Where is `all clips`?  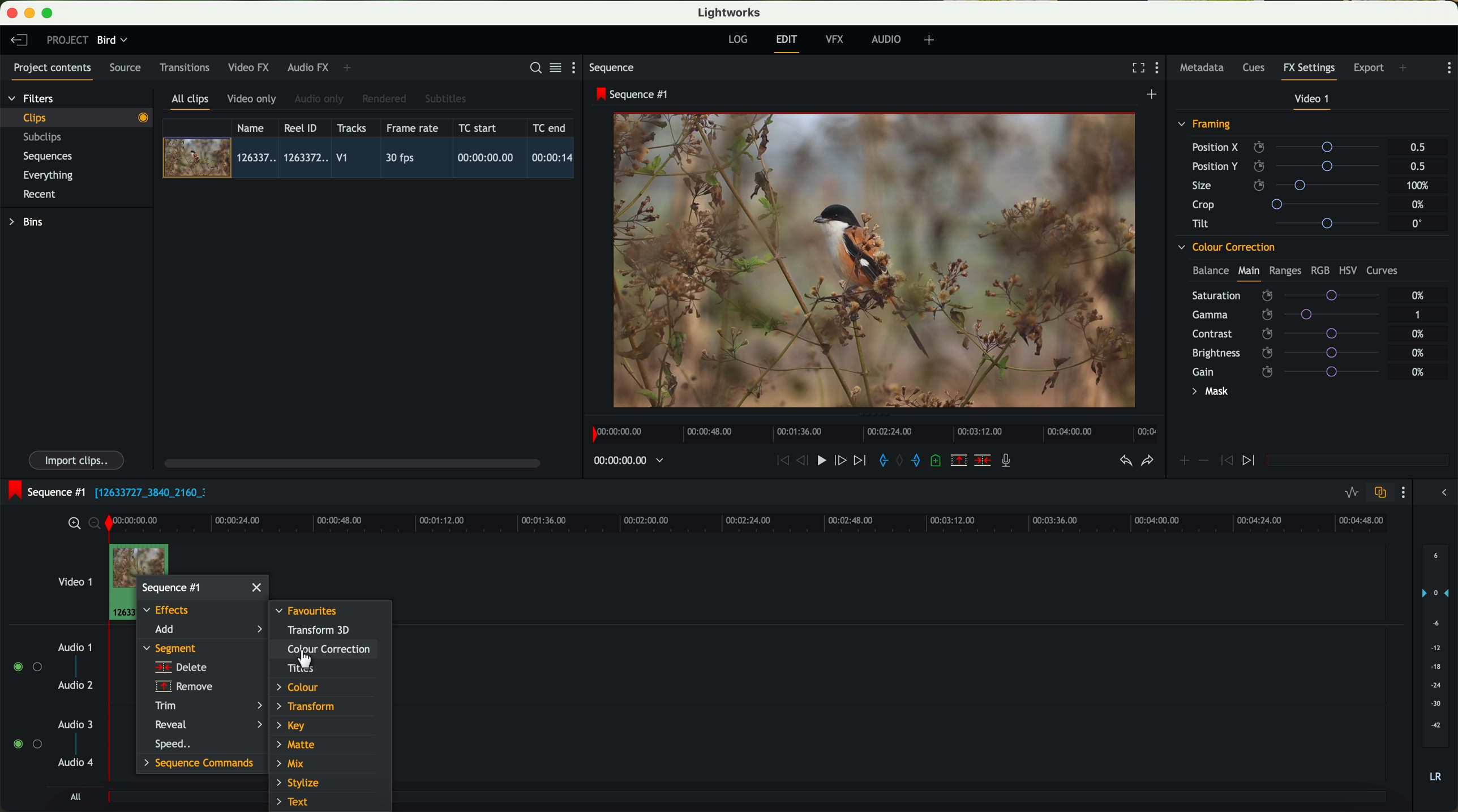
all clips is located at coordinates (191, 102).